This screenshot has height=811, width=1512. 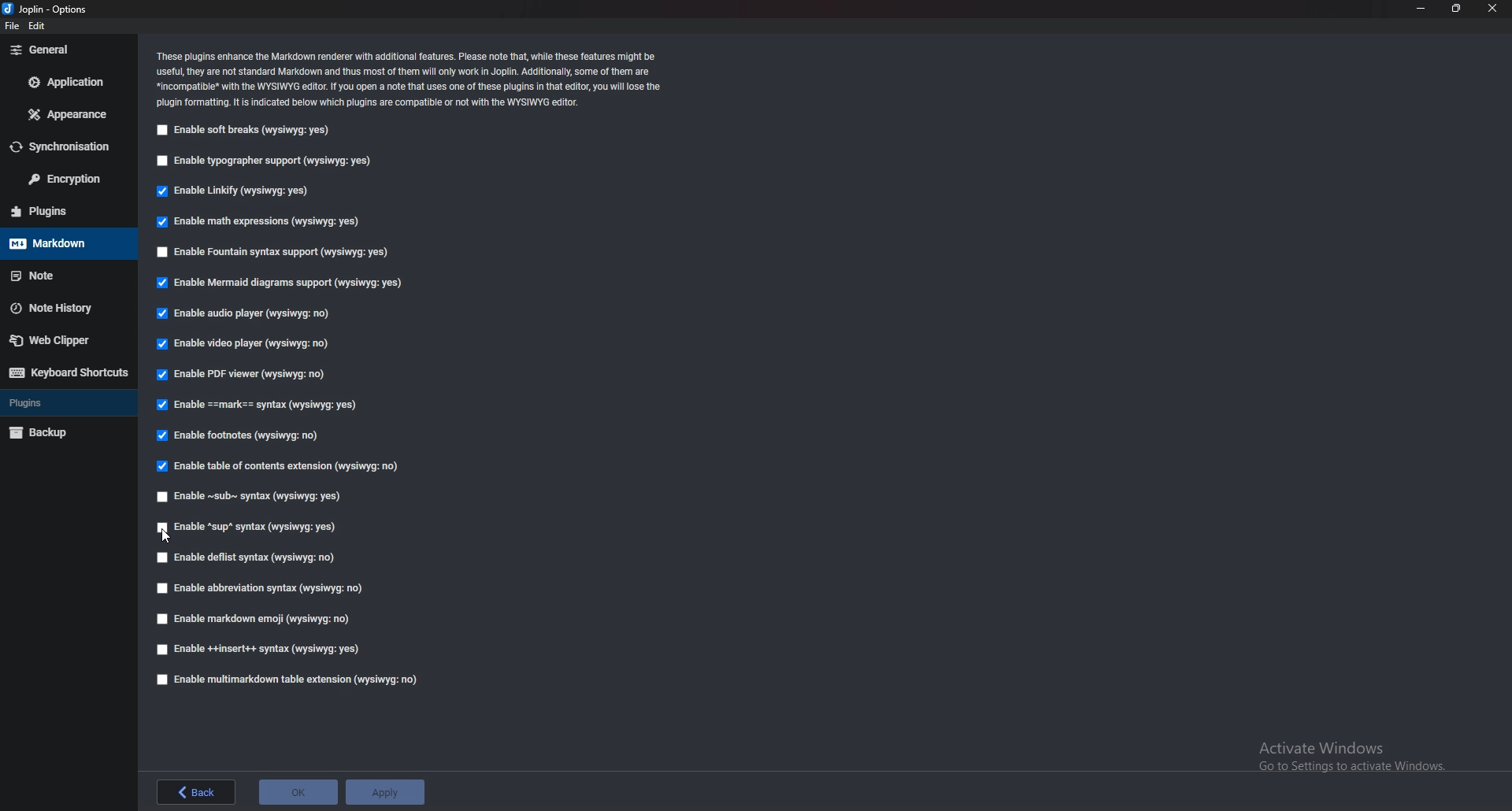 What do you see at coordinates (66, 53) in the screenshot?
I see `general` at bounding box center [66, 53].